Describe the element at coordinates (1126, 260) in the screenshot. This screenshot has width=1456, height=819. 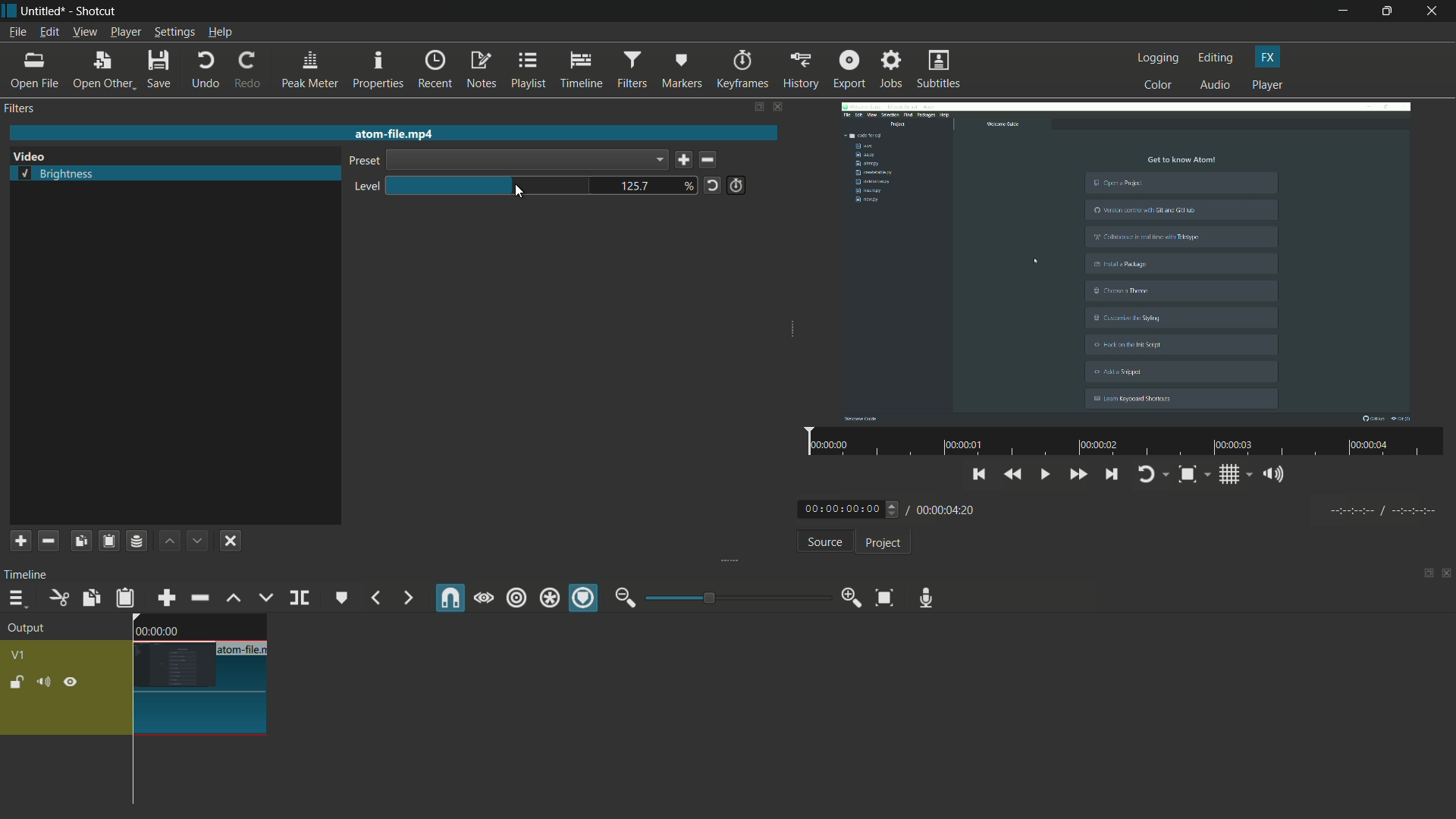
I see `video` at that location.